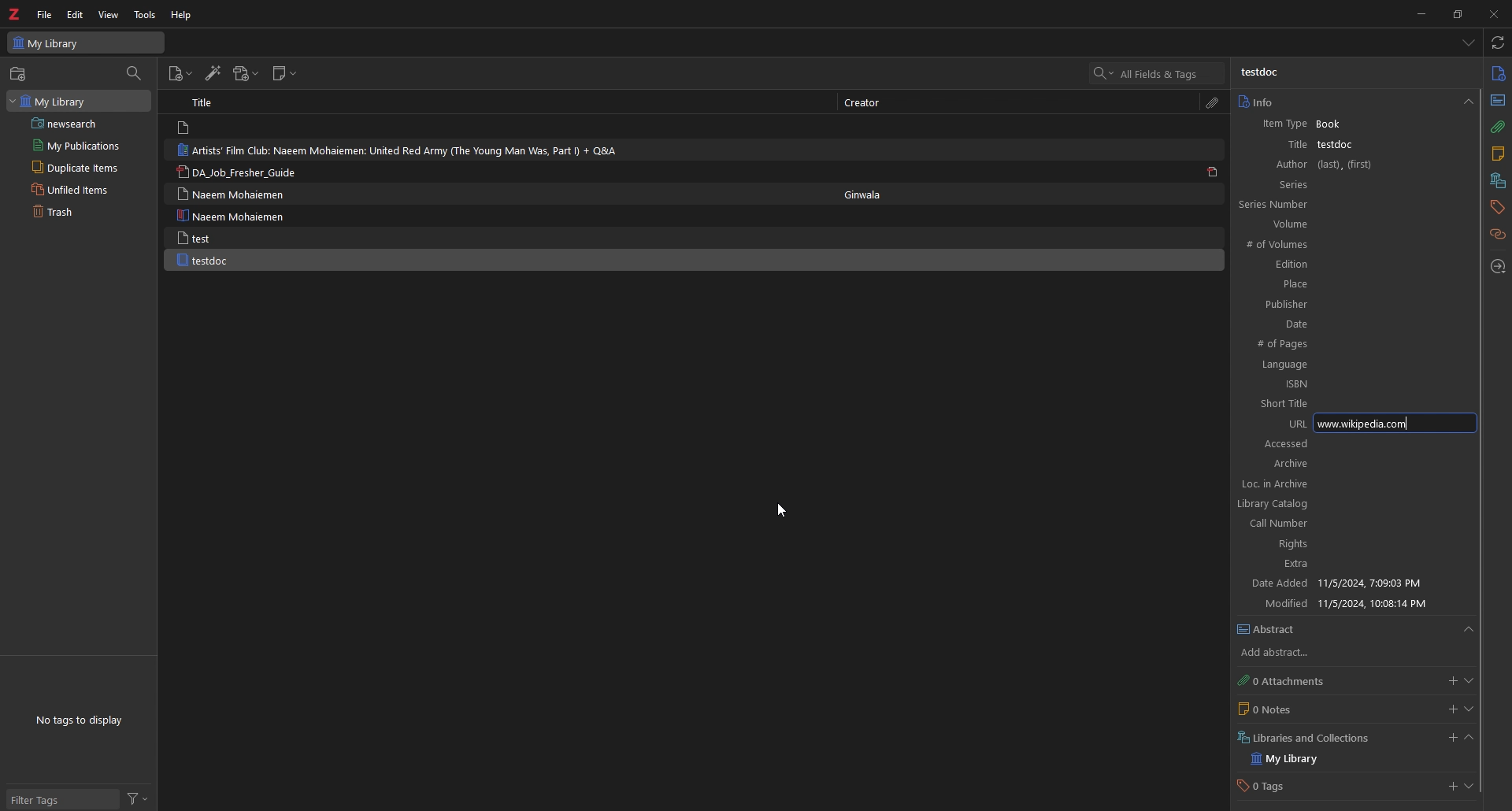 Image resolution: width=1512 pixels, height=811 pixels. Describe the element at coordinates (1357, 445) in the screenshot. I see `Accessed` at that location.